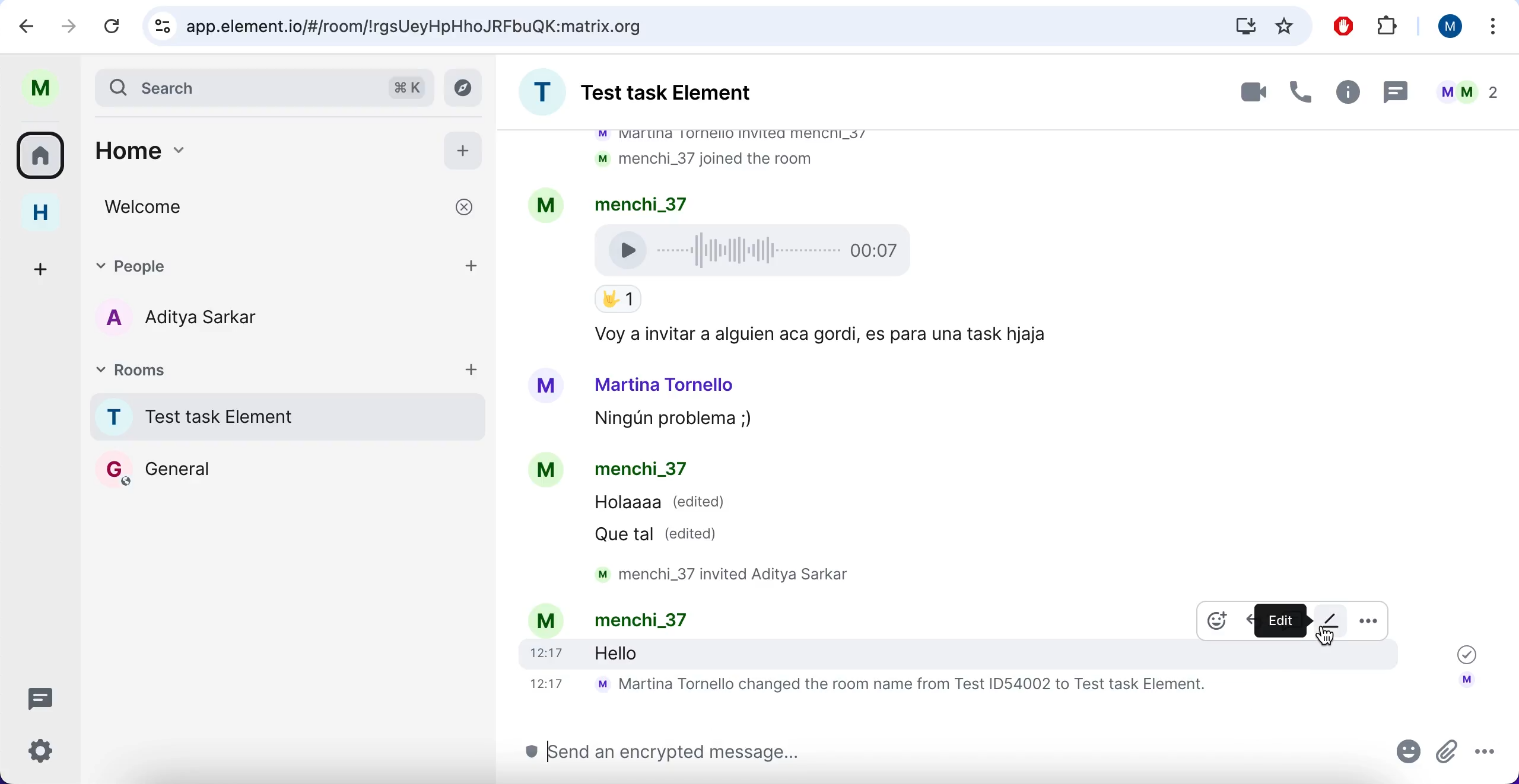  What do you see at coordinates (1289, 26) in the screenshot?
I see `favorites` at bounding box center [1289, 26].